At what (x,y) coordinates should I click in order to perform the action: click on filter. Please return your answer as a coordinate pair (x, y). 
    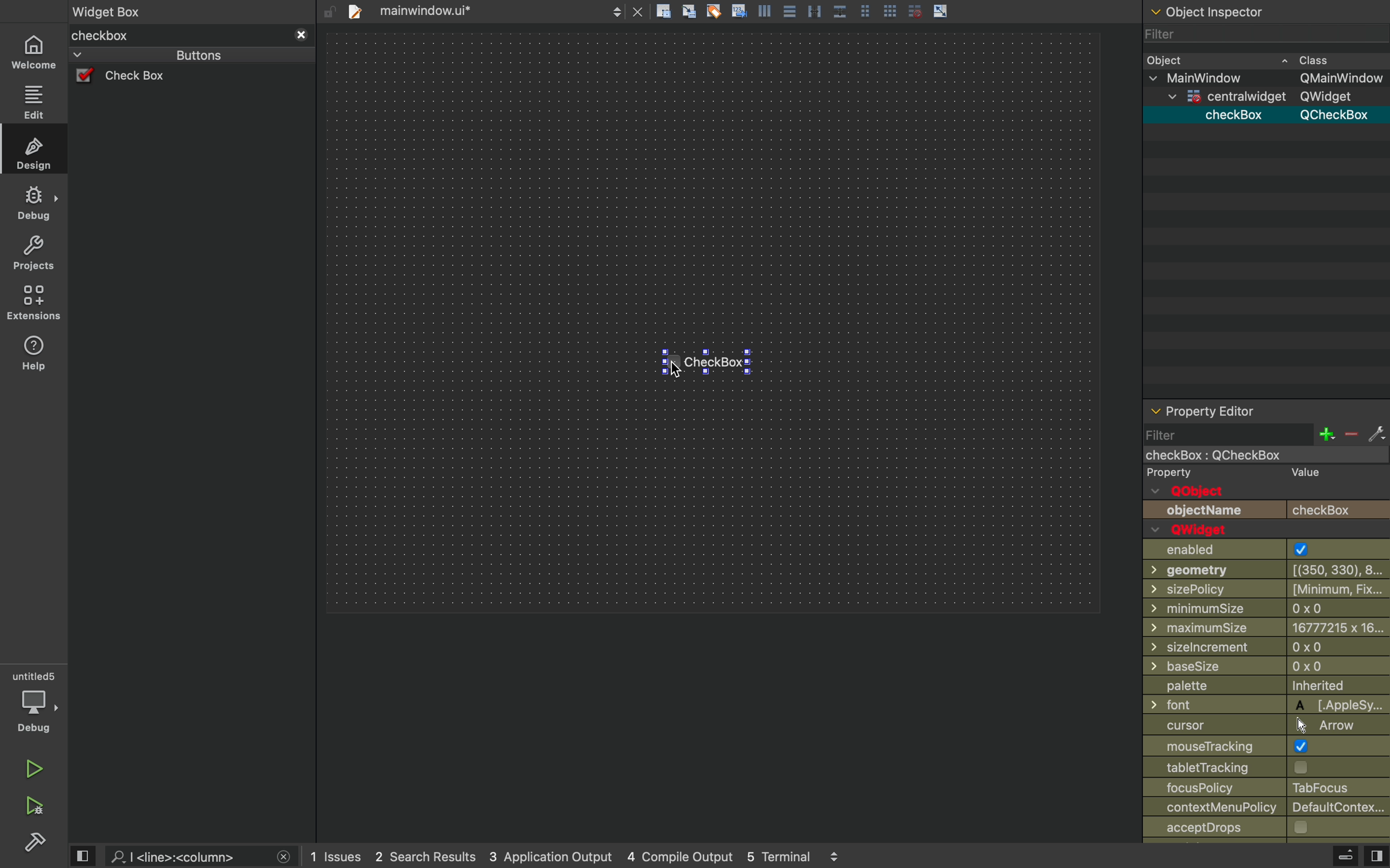
    Looking at the image, I should click on (1252, 34).